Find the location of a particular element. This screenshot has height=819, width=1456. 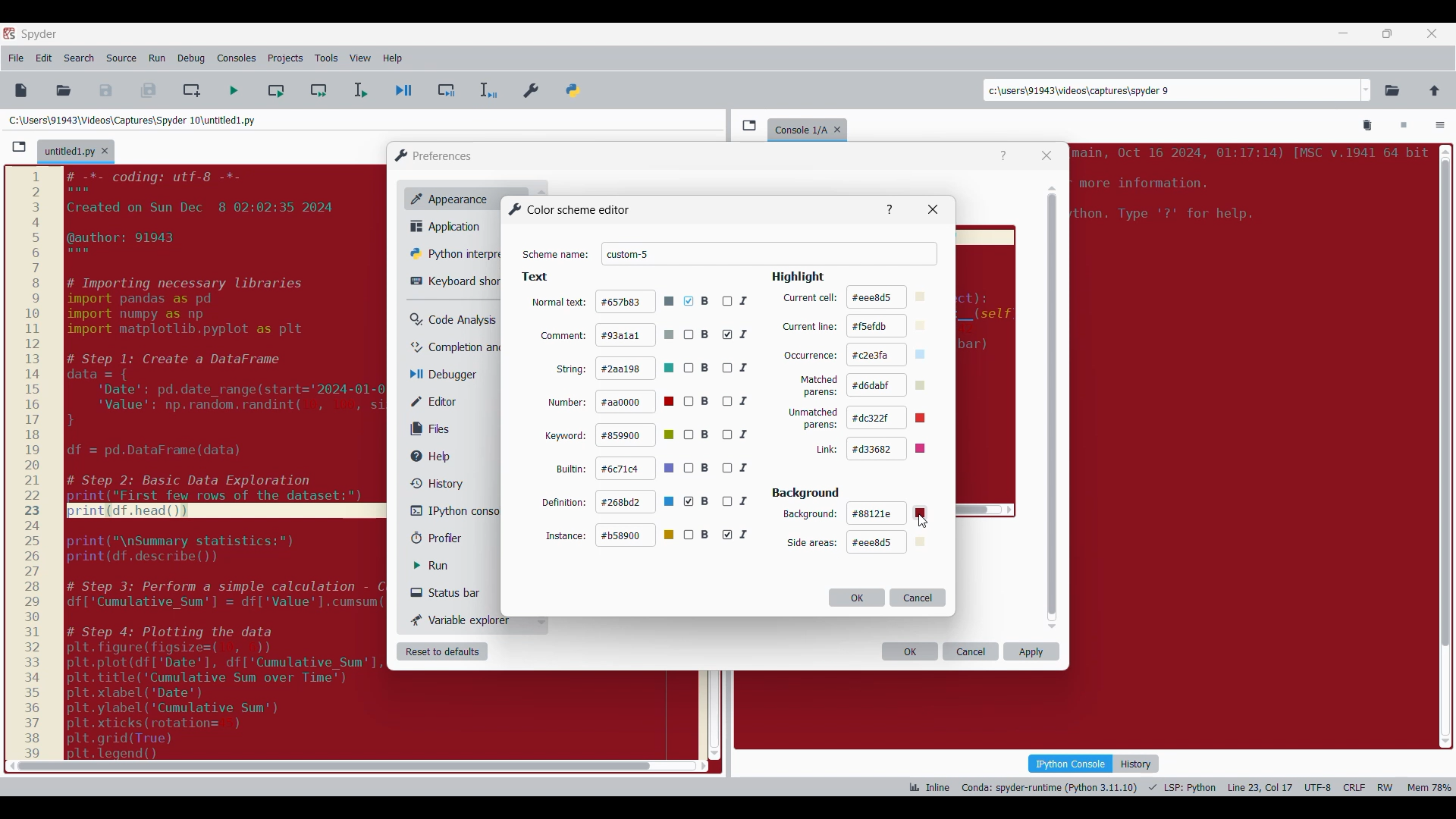

Tools menu is located at coordinates (326, 58).